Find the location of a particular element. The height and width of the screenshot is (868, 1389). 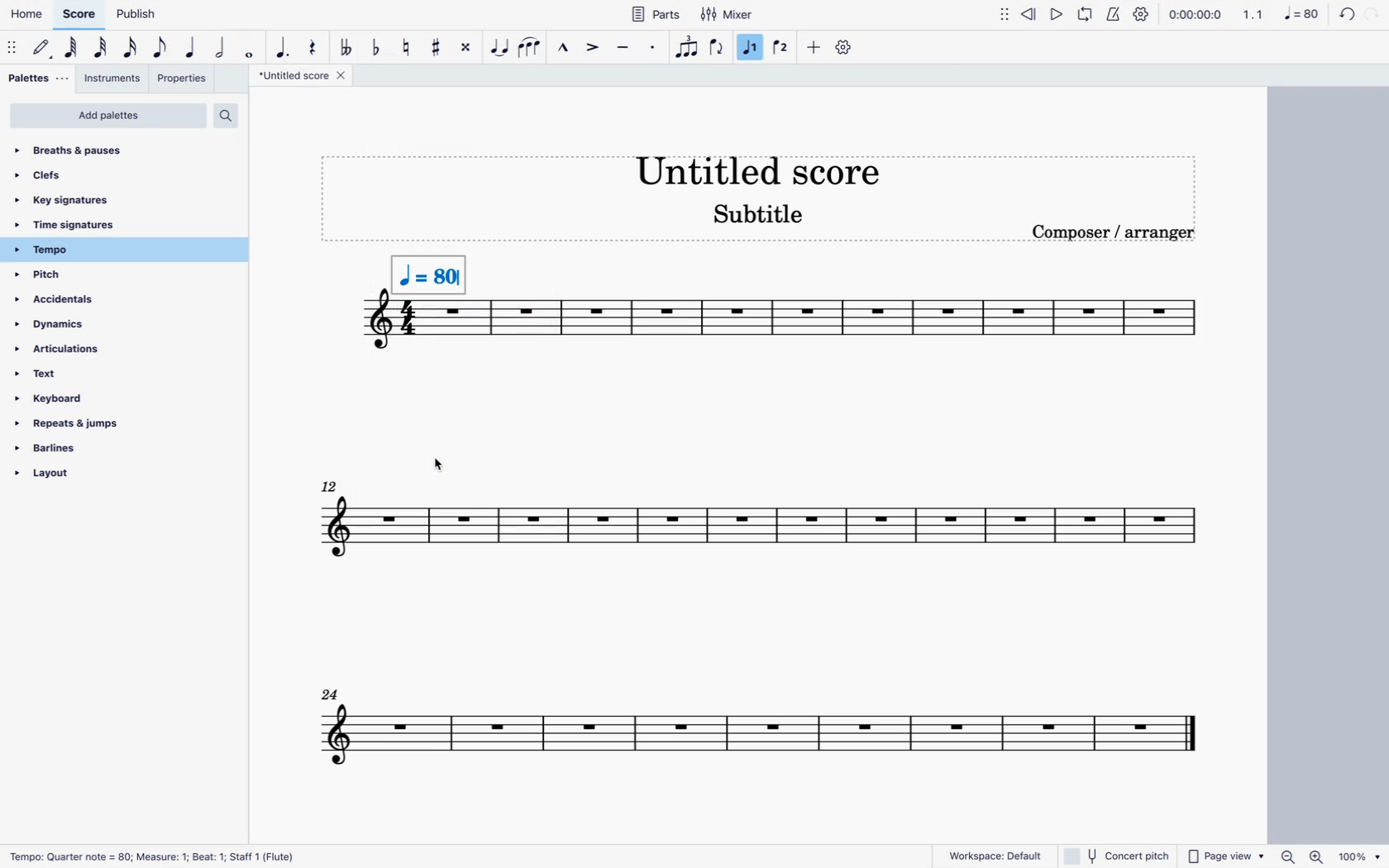

eighth note is located at coordinates (161, 47).